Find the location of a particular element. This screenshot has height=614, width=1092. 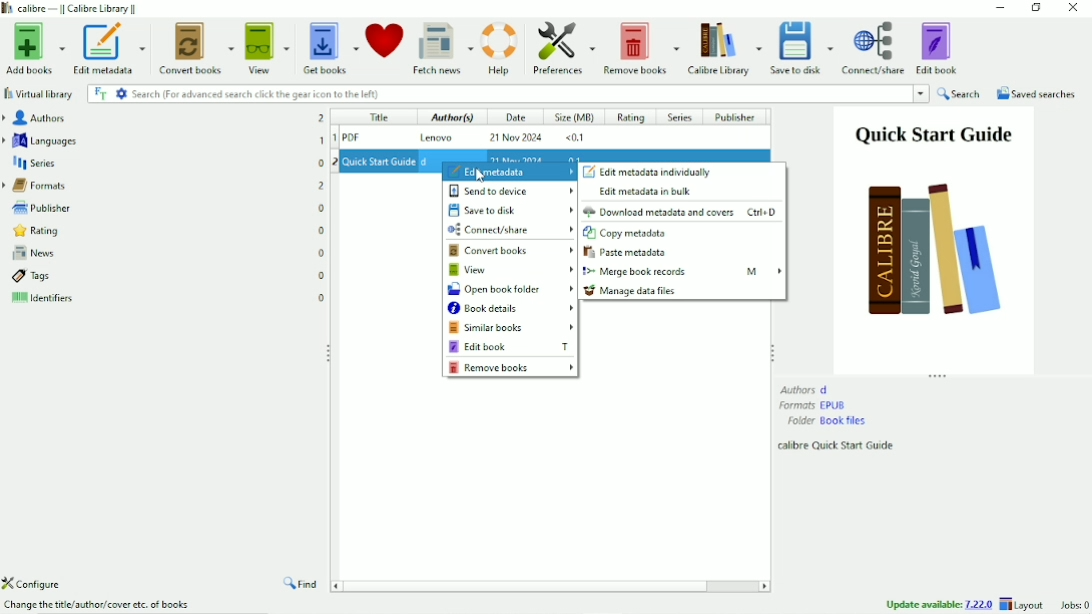

Get books is located at coordinates (331, 45).